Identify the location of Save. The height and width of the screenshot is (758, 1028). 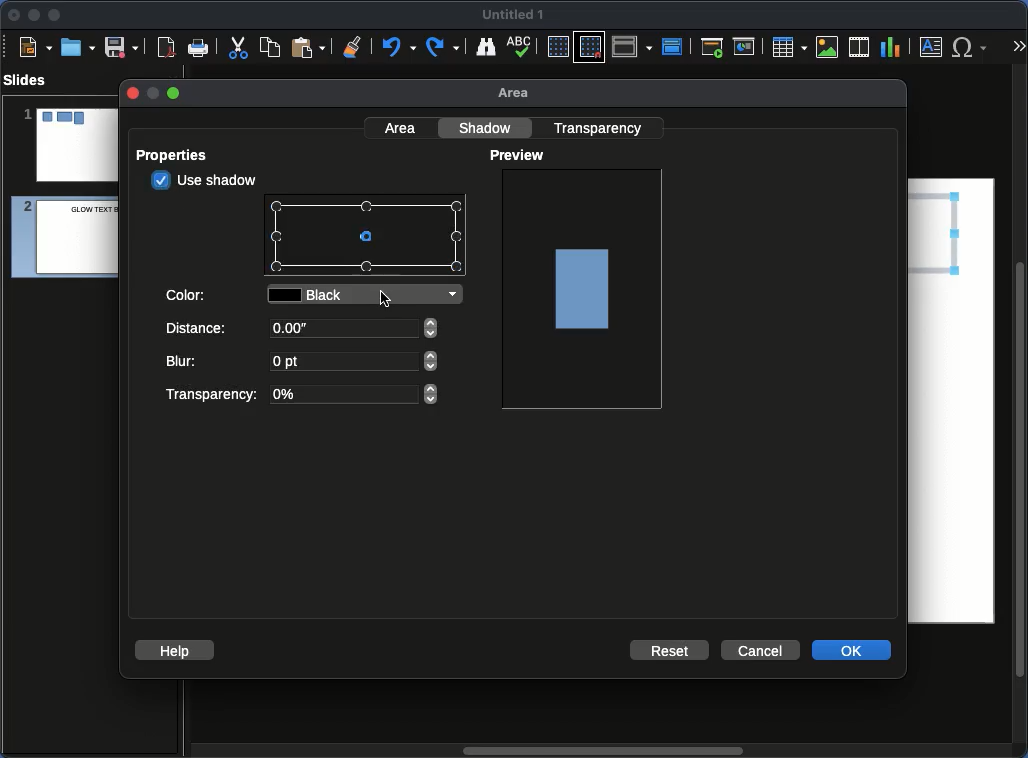
(123, 46).